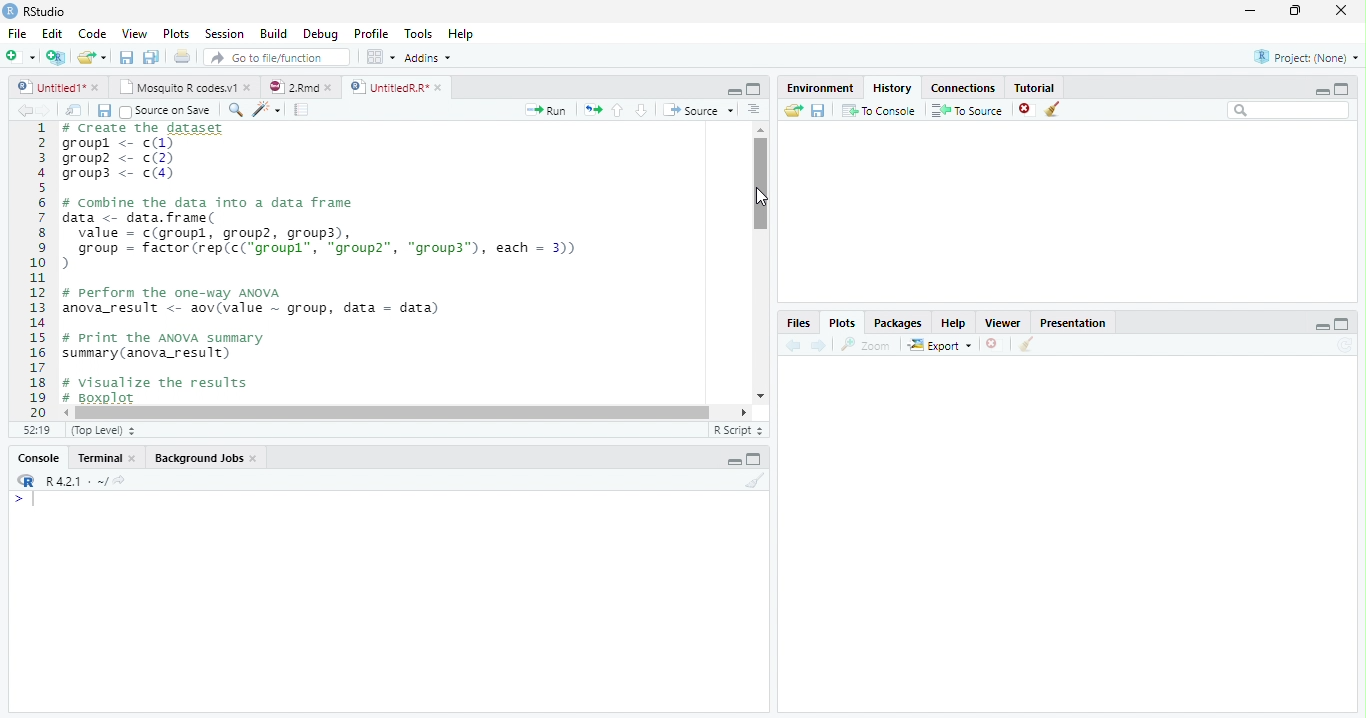 Image resolution: width=1366 pixels, height=718 pixels. I want to click on Go to next section , so click(642, 111).